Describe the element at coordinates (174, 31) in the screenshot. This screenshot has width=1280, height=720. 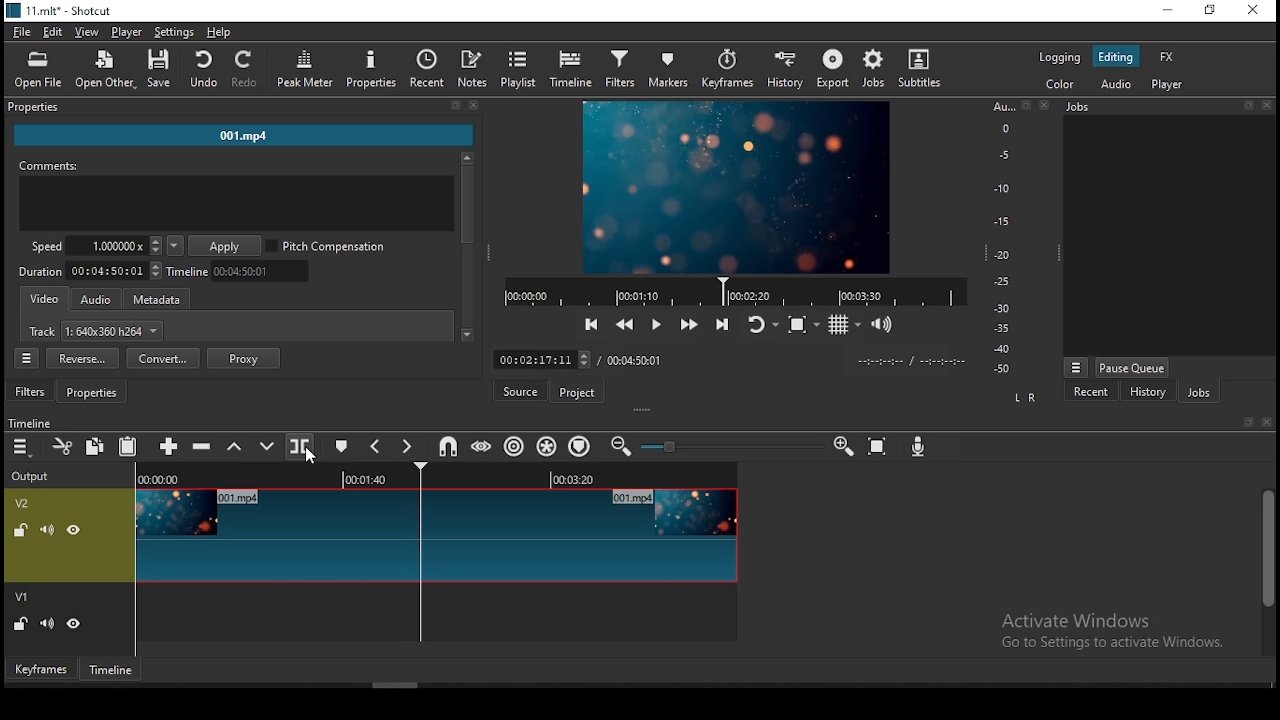
I see `settings` at that location.